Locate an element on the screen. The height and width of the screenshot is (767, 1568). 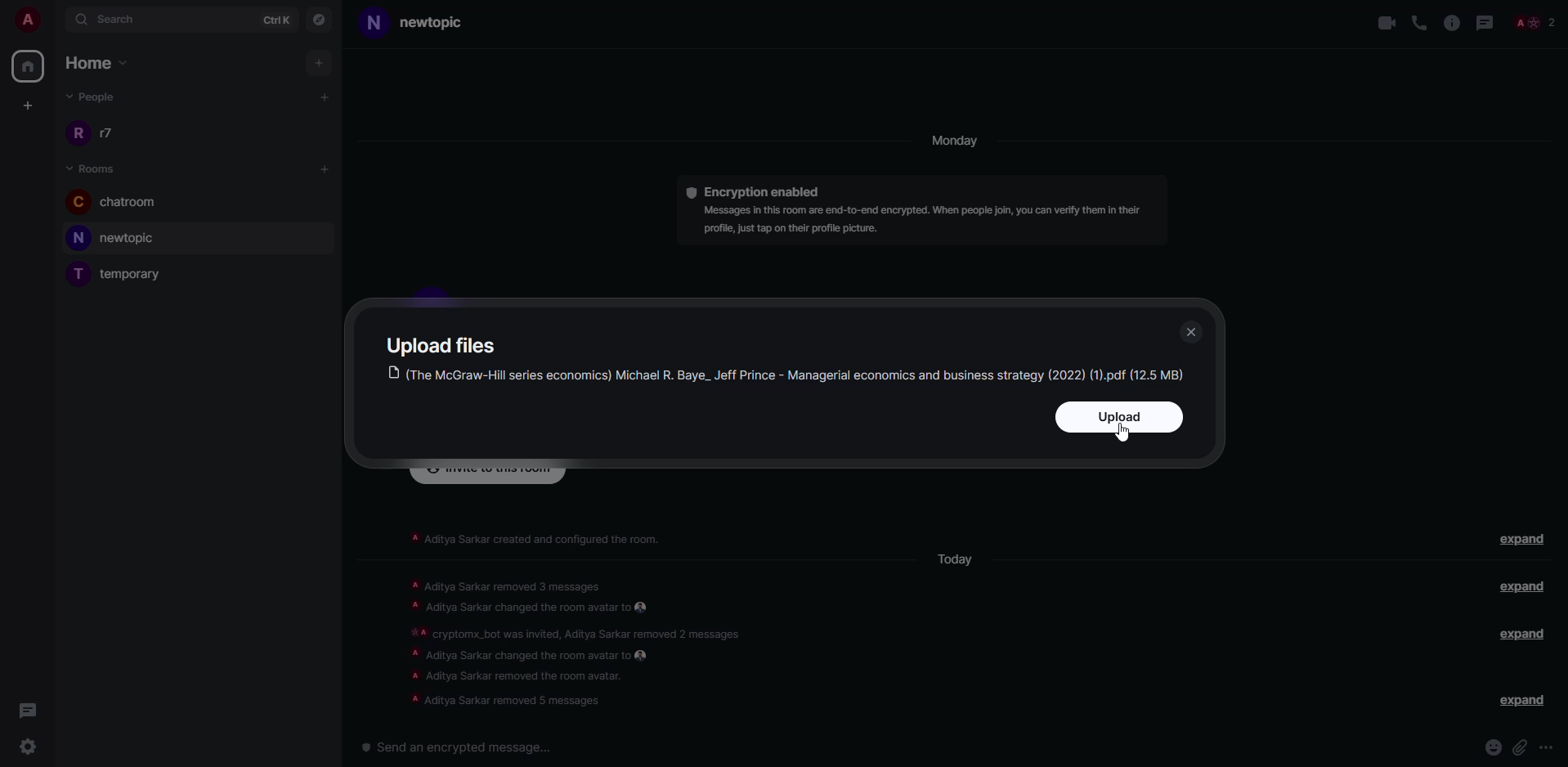
search is located at coordinates (119, 18).